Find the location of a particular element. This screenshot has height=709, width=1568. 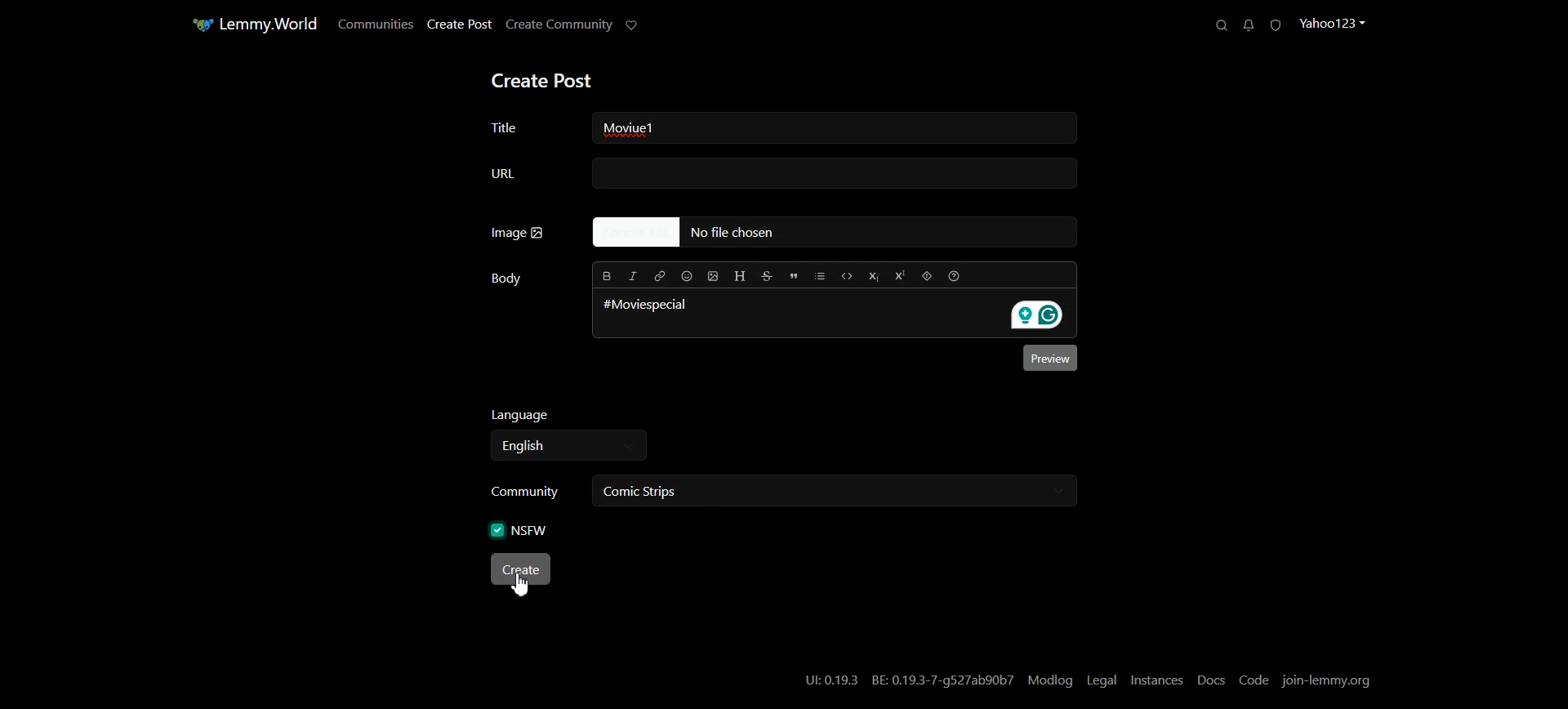

Cursor is located at coordinates (522, 587).